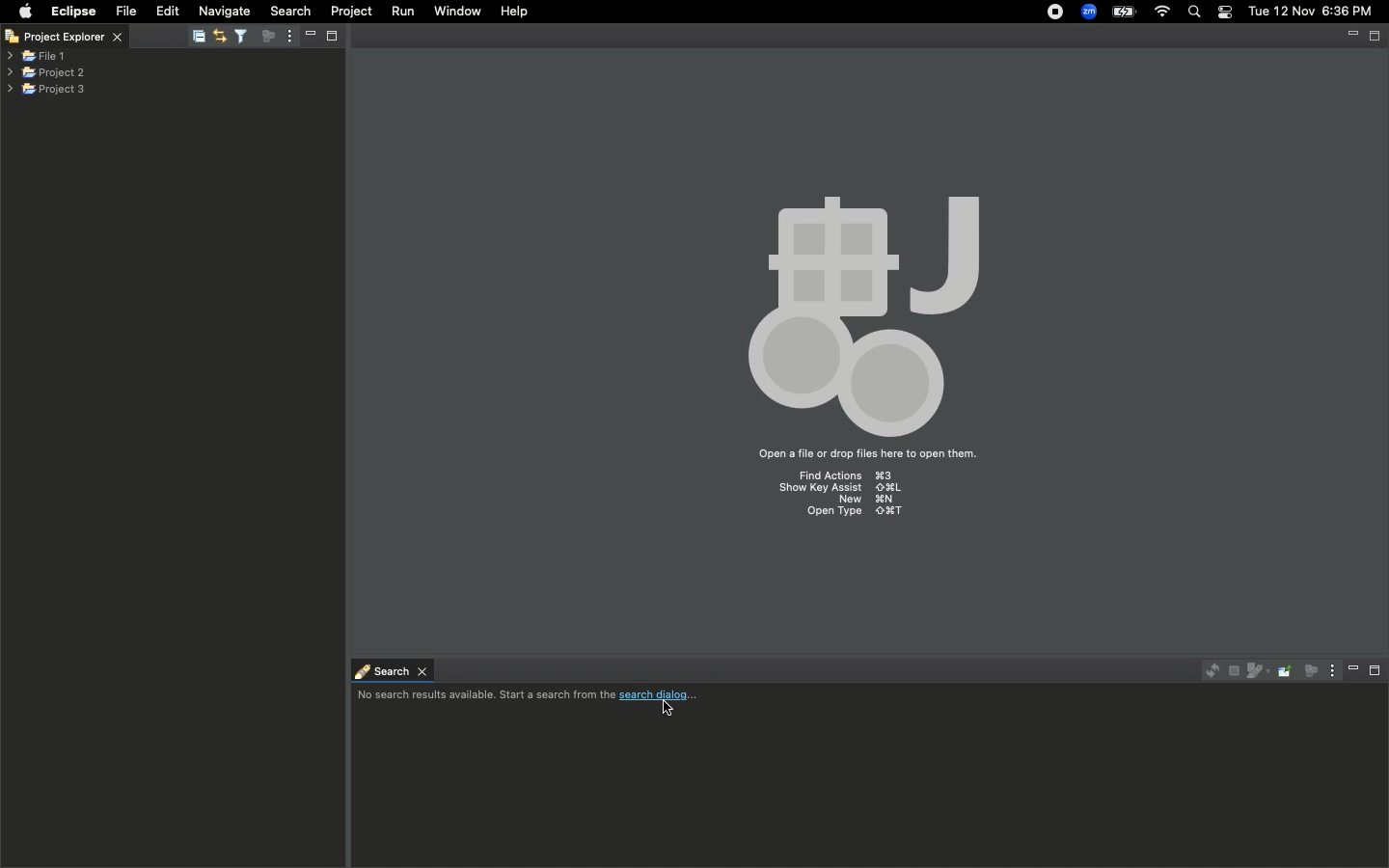 The height and width of the screenshot is (868, 1389). What do you see at coordinates (271, 40) in the screenshot?
I see `Focus on active tasks` at bounding box center [271, 40].